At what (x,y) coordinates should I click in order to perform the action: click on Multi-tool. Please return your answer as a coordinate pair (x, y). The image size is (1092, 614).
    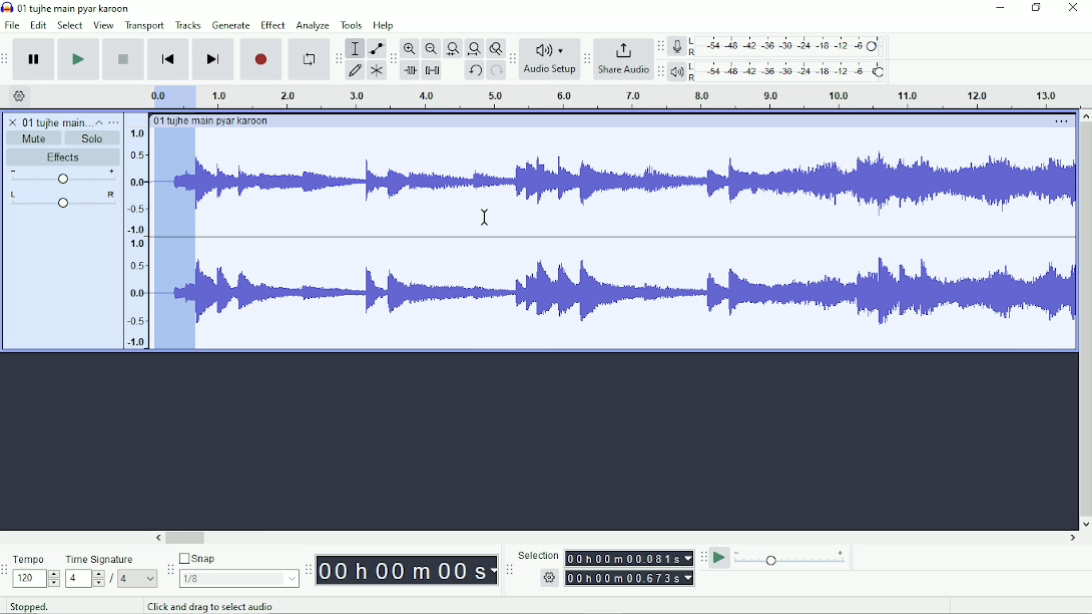
    Looking at the image, I should click on (376, 73).